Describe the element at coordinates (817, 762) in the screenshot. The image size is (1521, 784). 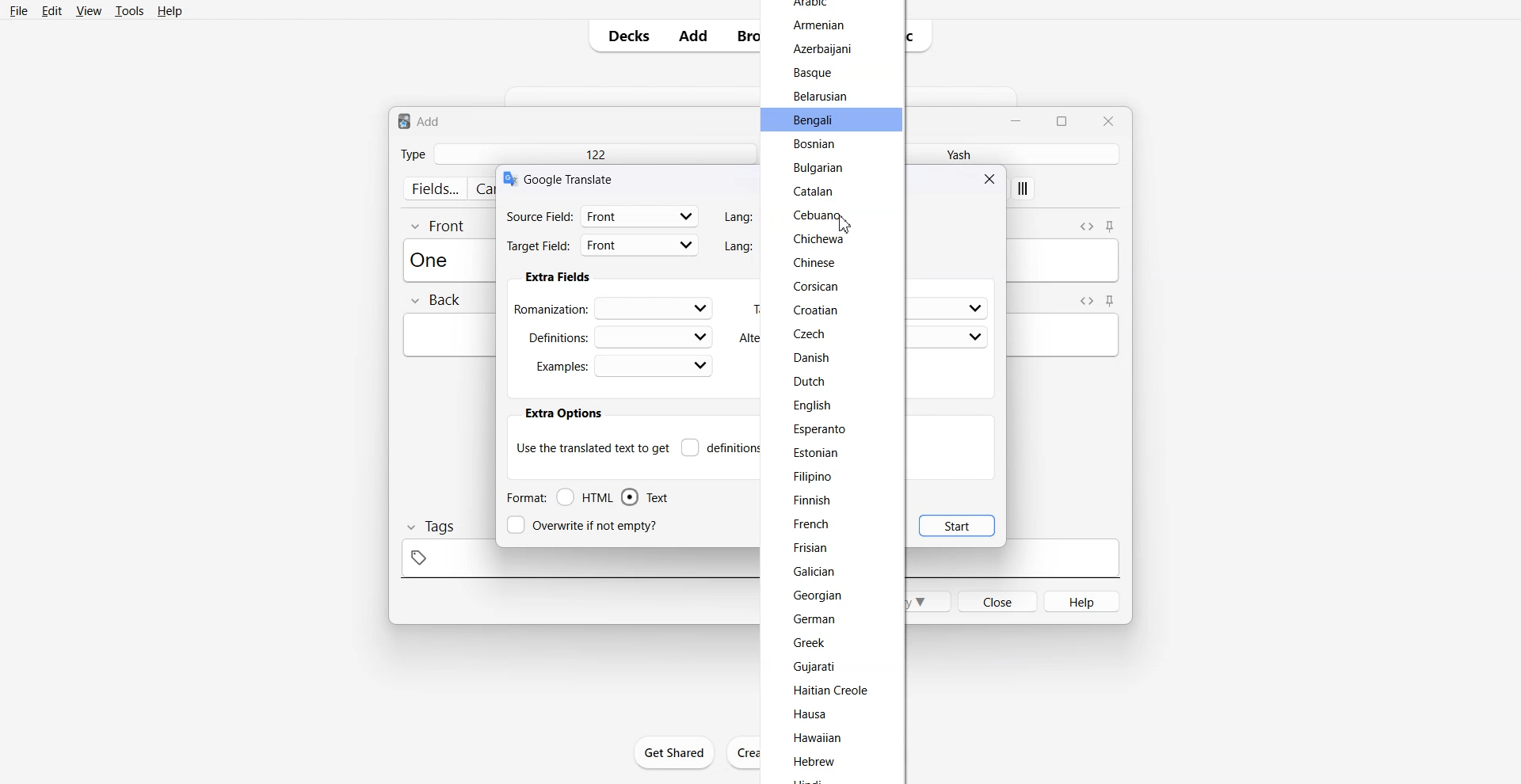
I see `Hebrew` at that location.